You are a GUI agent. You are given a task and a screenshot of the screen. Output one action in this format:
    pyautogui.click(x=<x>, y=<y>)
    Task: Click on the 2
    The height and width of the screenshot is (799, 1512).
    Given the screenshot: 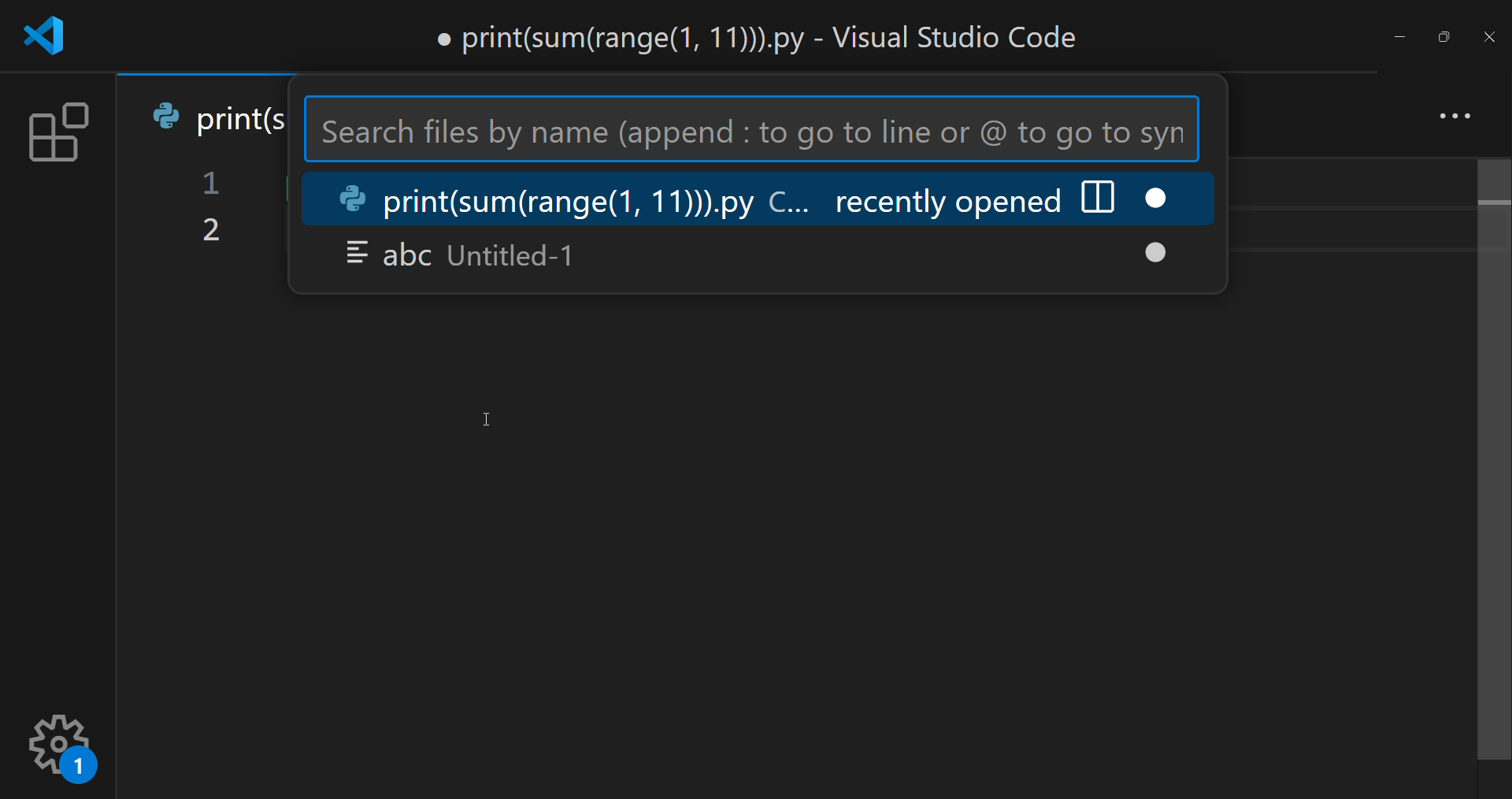 What is the action you would take?
    pyautogui.click(x=213, y=227)
    